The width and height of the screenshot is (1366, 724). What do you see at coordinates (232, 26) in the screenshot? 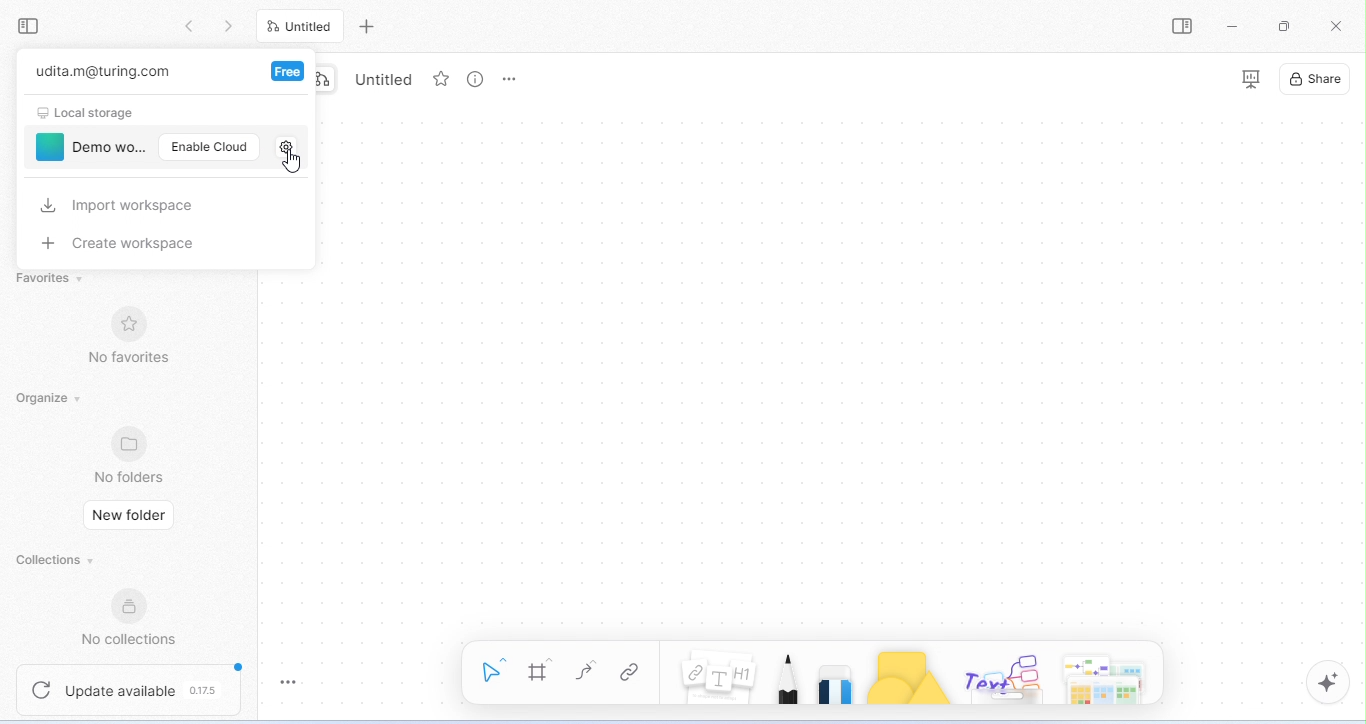
I see `go previous` at bounding box center [232, 26].